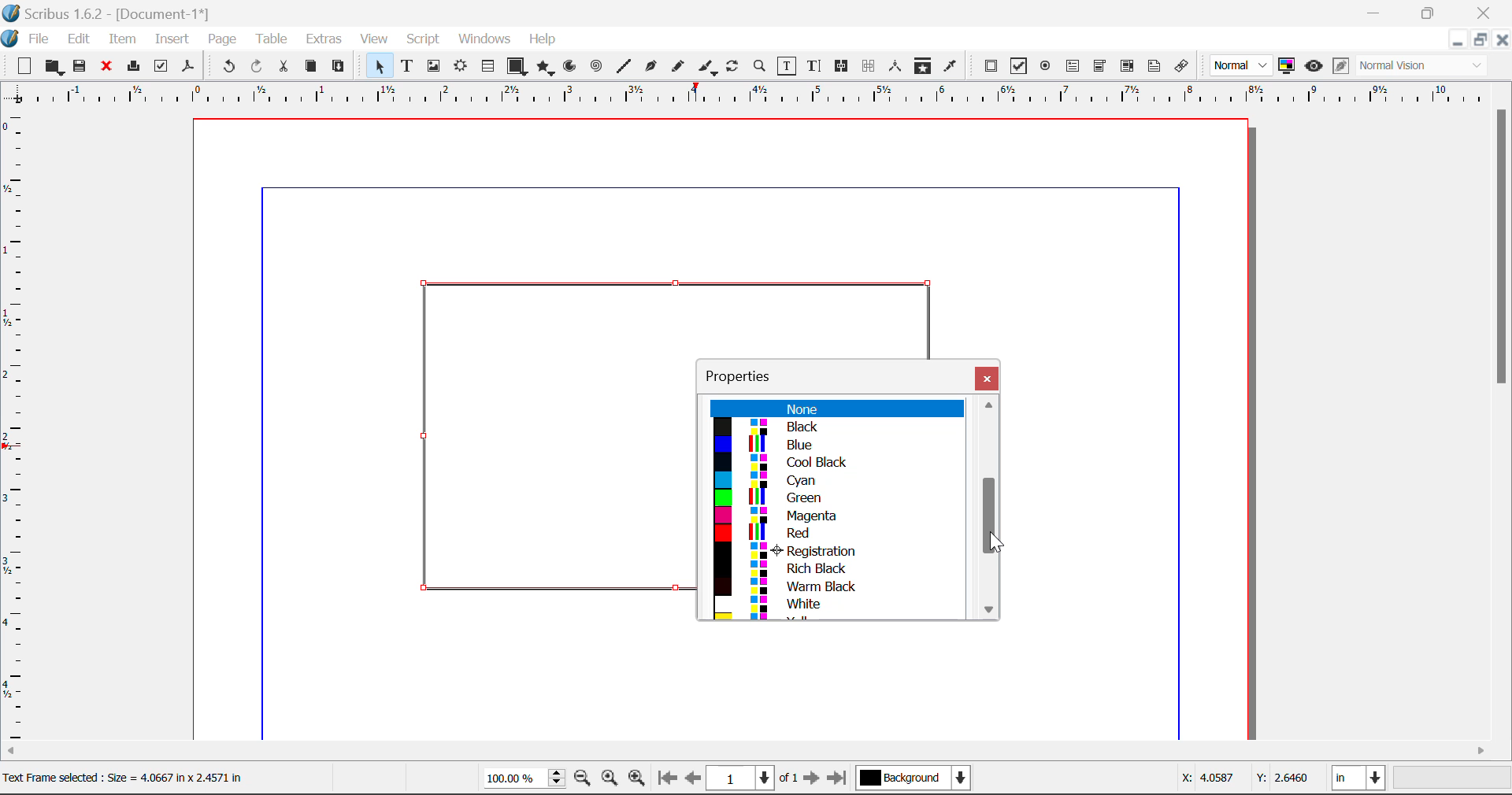 This screenshot has height=795, width=1512. I want to click on Eyedropper, so click(951, 65).